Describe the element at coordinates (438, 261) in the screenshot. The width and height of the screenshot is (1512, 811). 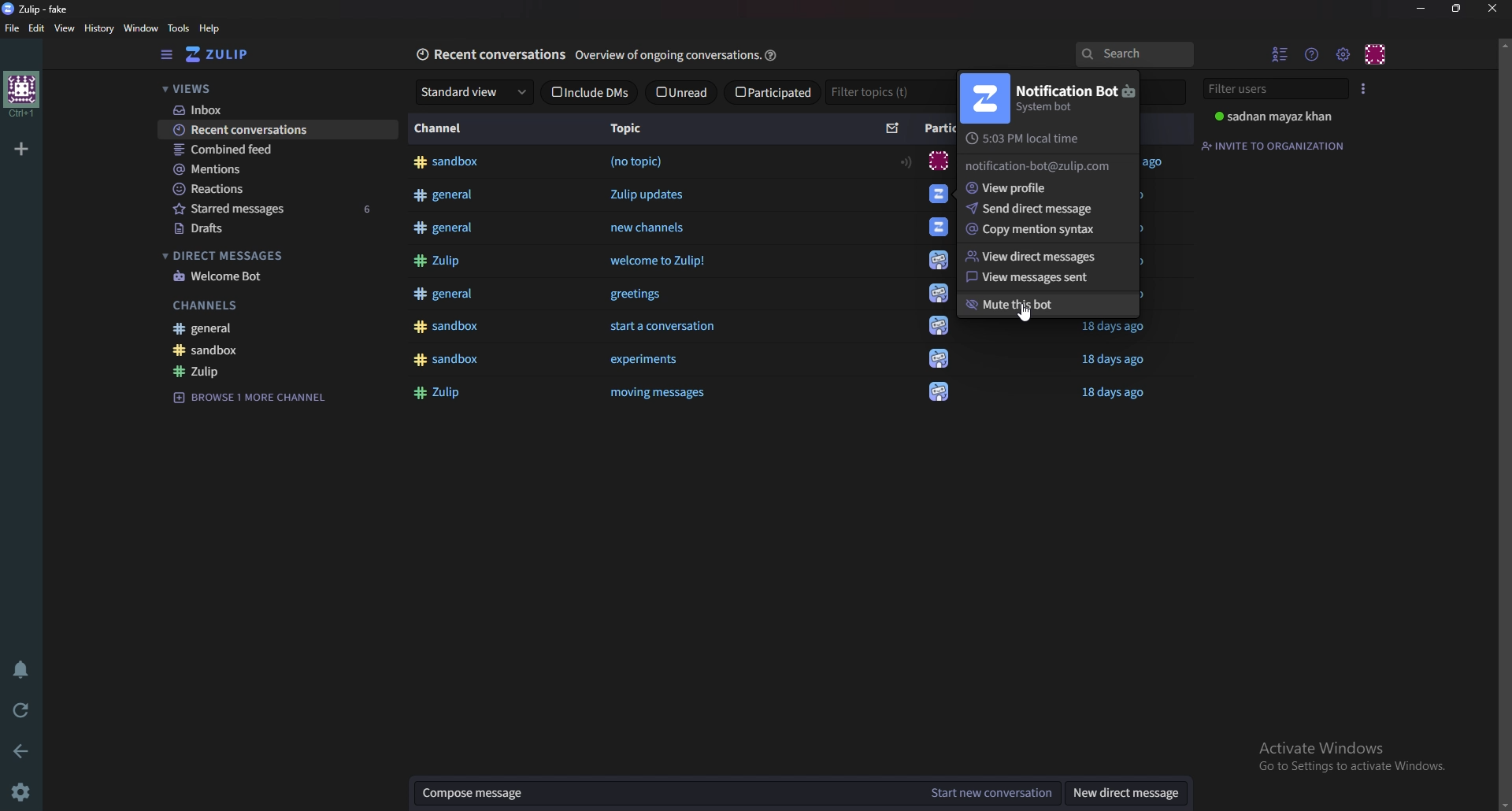
I see `#Zulip` at that location.